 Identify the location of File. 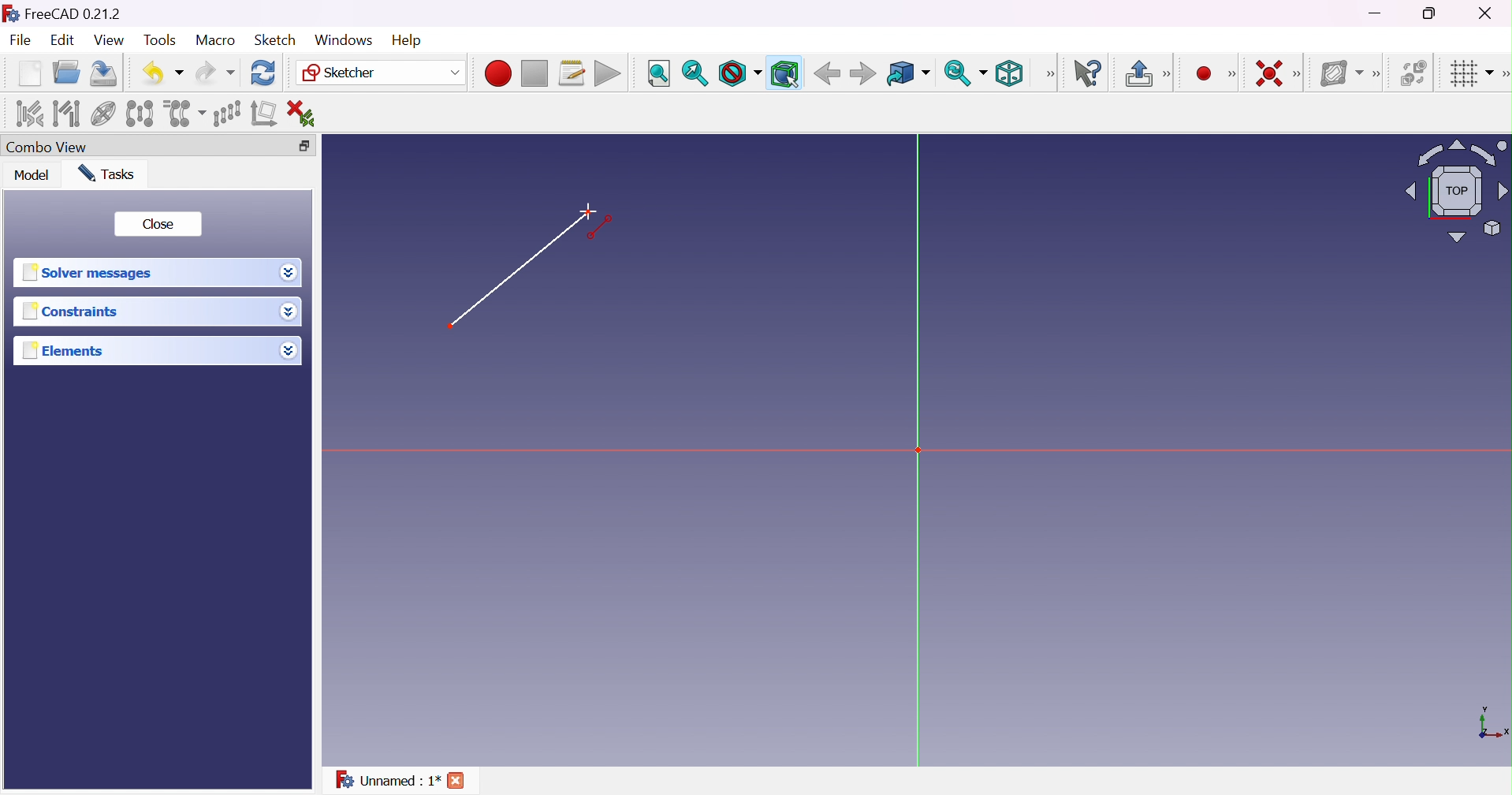
(21, 41).